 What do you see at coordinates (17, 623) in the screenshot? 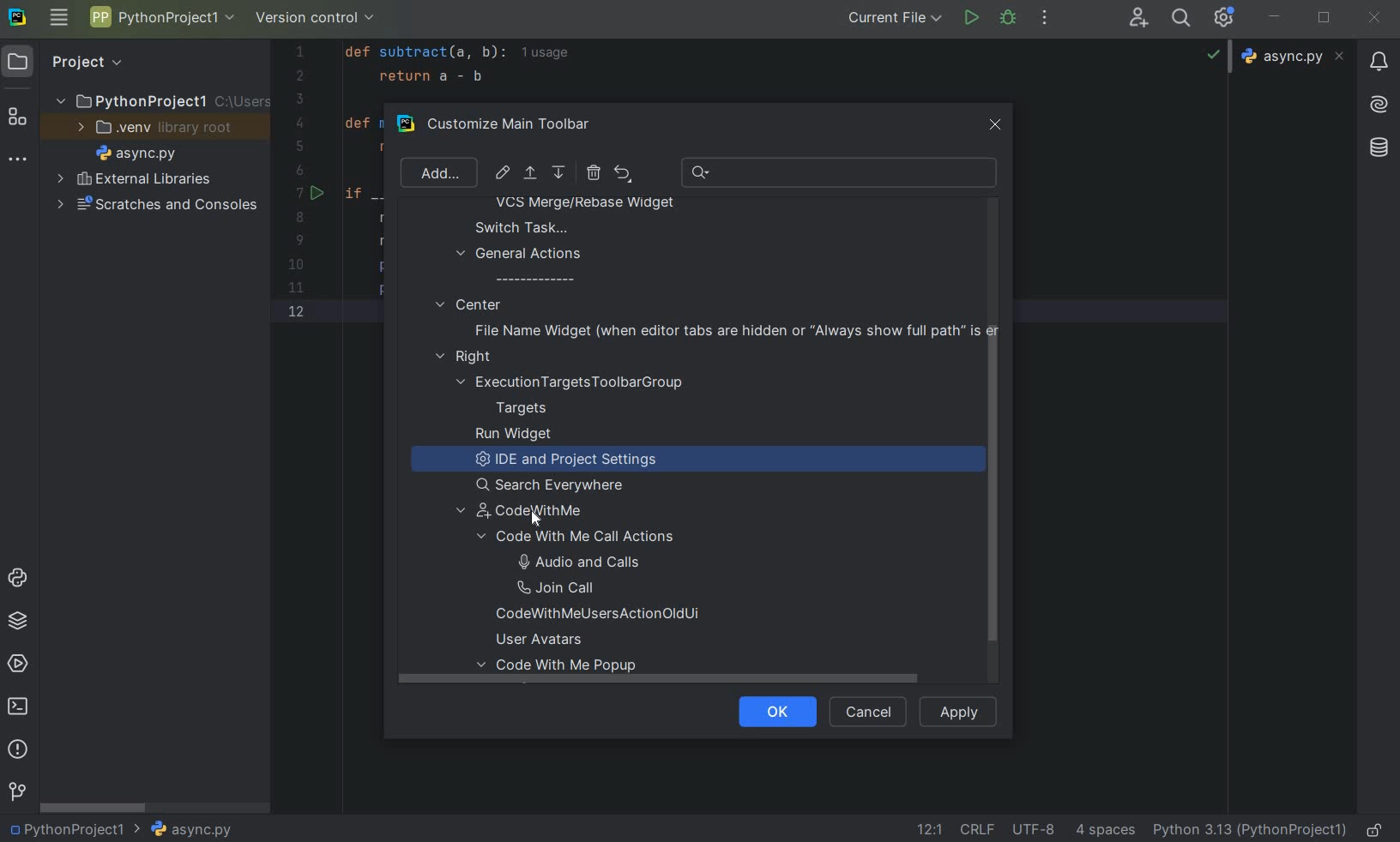
I see `PYTHON PACKAGES` at bounding box center [17, 623].